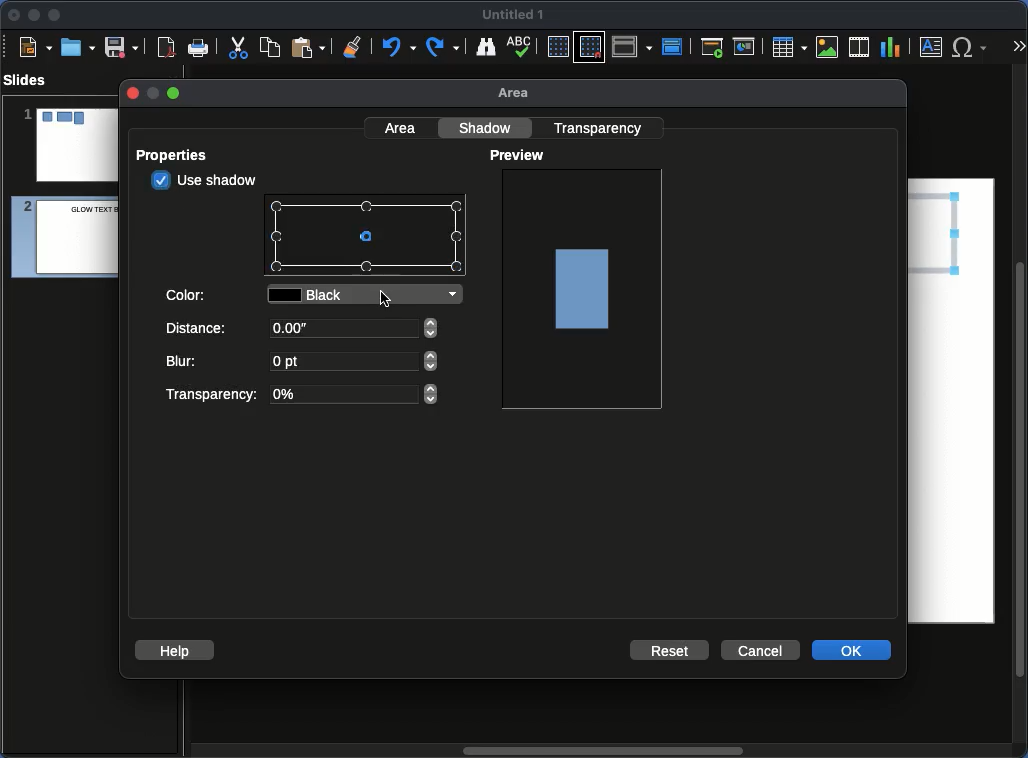 The width and height of the screenshot is (1028, 758). I want to click on Distance, so click(304, 332).